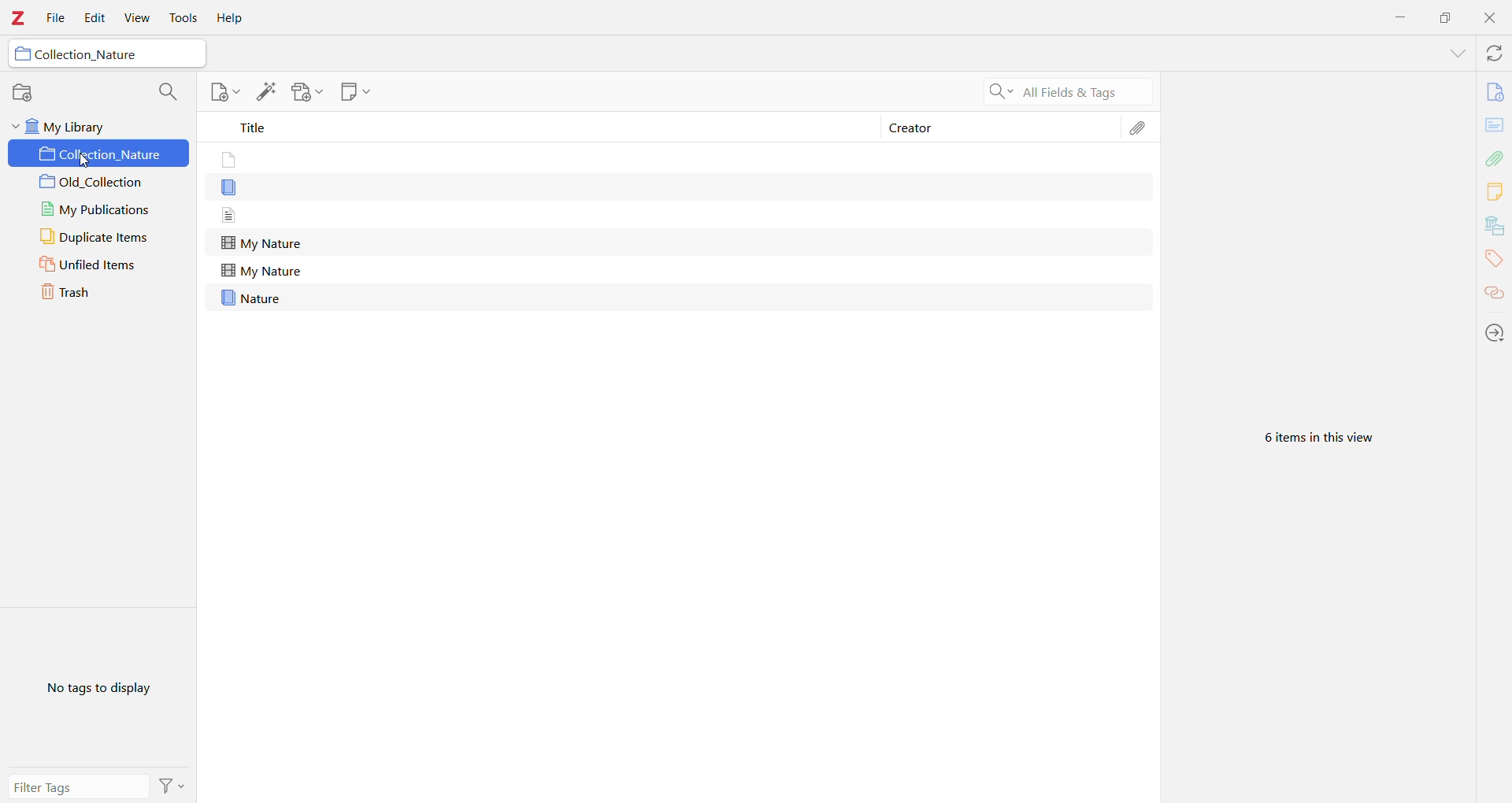 The image size is (1512, 803). What do you see at coordinates (265, 92) in the screenshot?
I see `Add Item(s) by Identifier` at bounding box center [265, 92].